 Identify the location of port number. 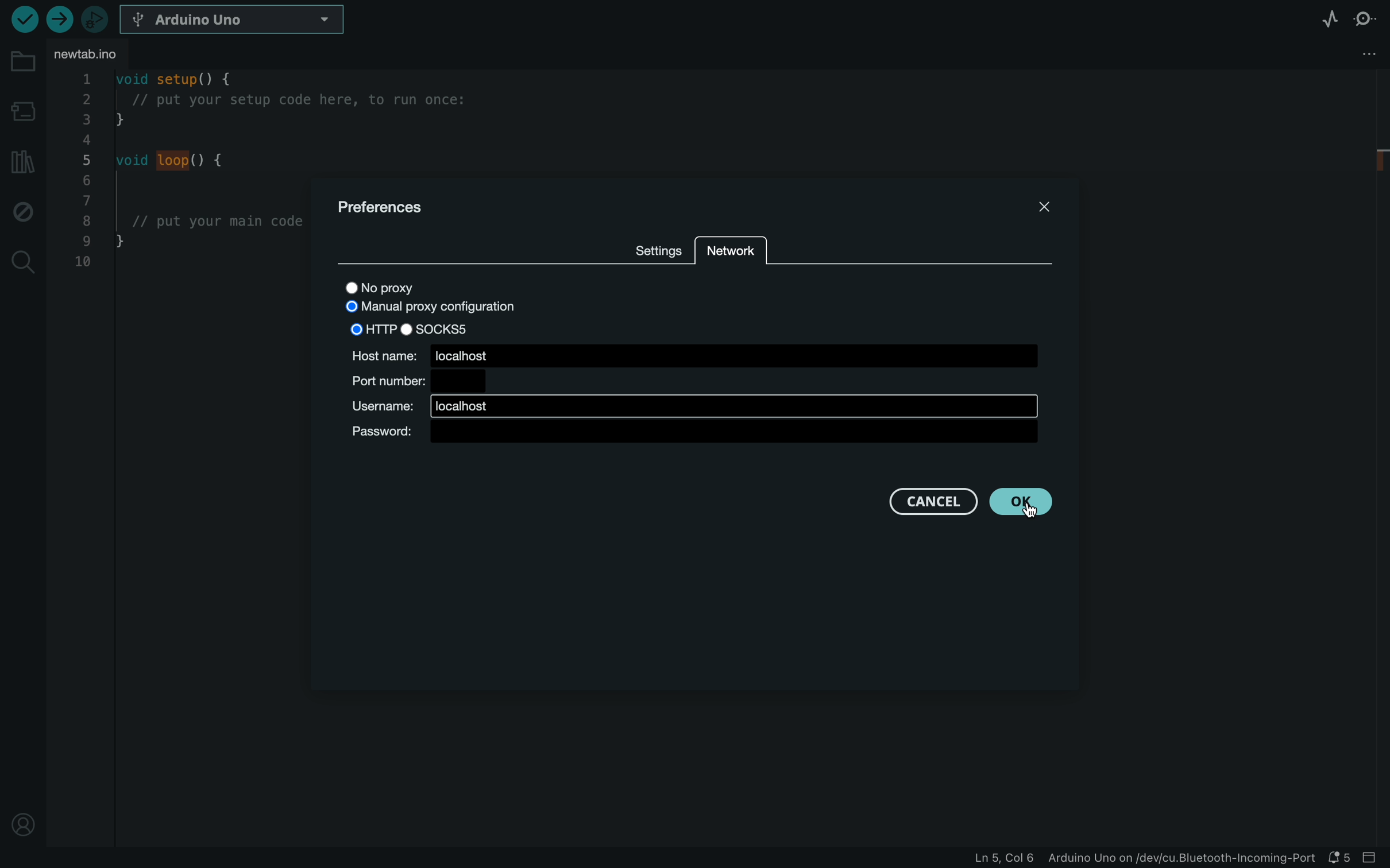
(418, 381).